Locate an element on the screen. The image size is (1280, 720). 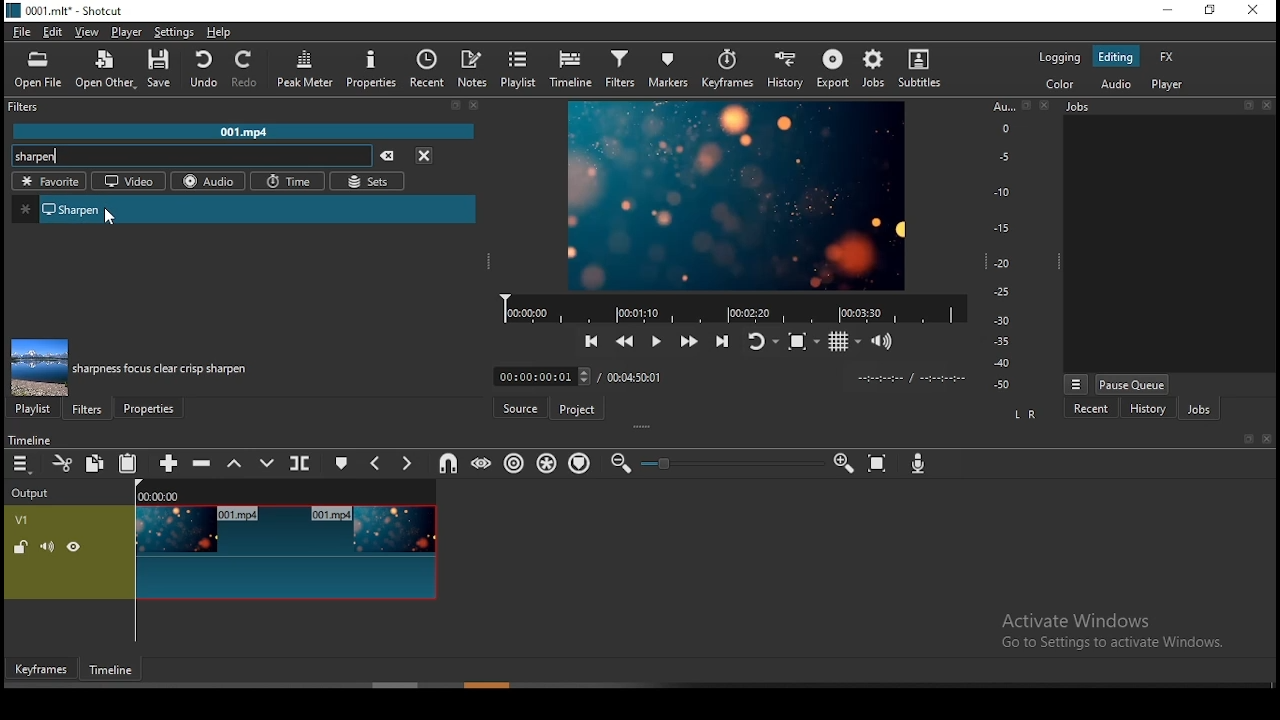
volume control is located at coordinates (882, 341).